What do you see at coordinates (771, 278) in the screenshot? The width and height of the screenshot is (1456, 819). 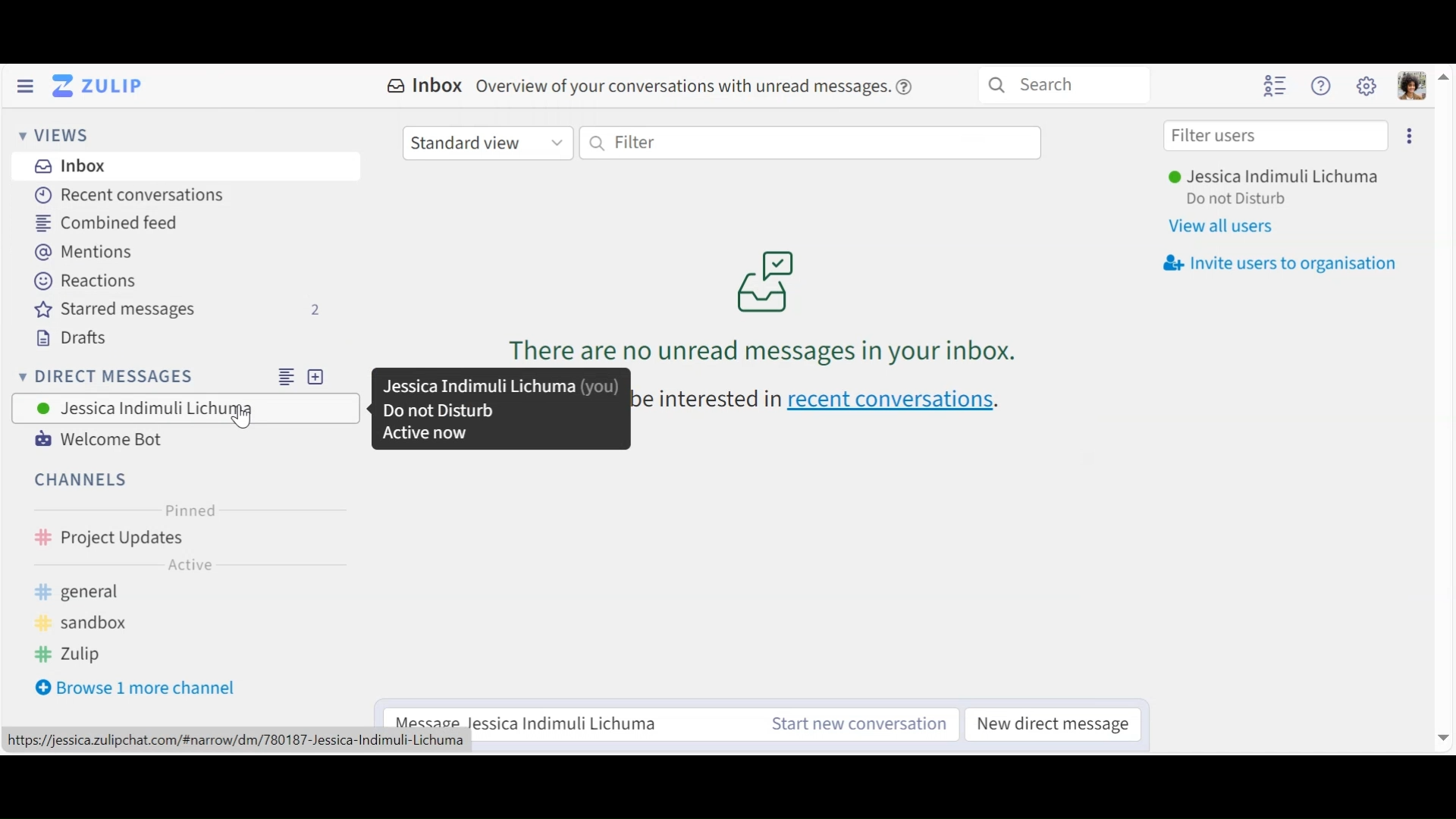 I see `Inbox messages` at bounding box center [771, 278].